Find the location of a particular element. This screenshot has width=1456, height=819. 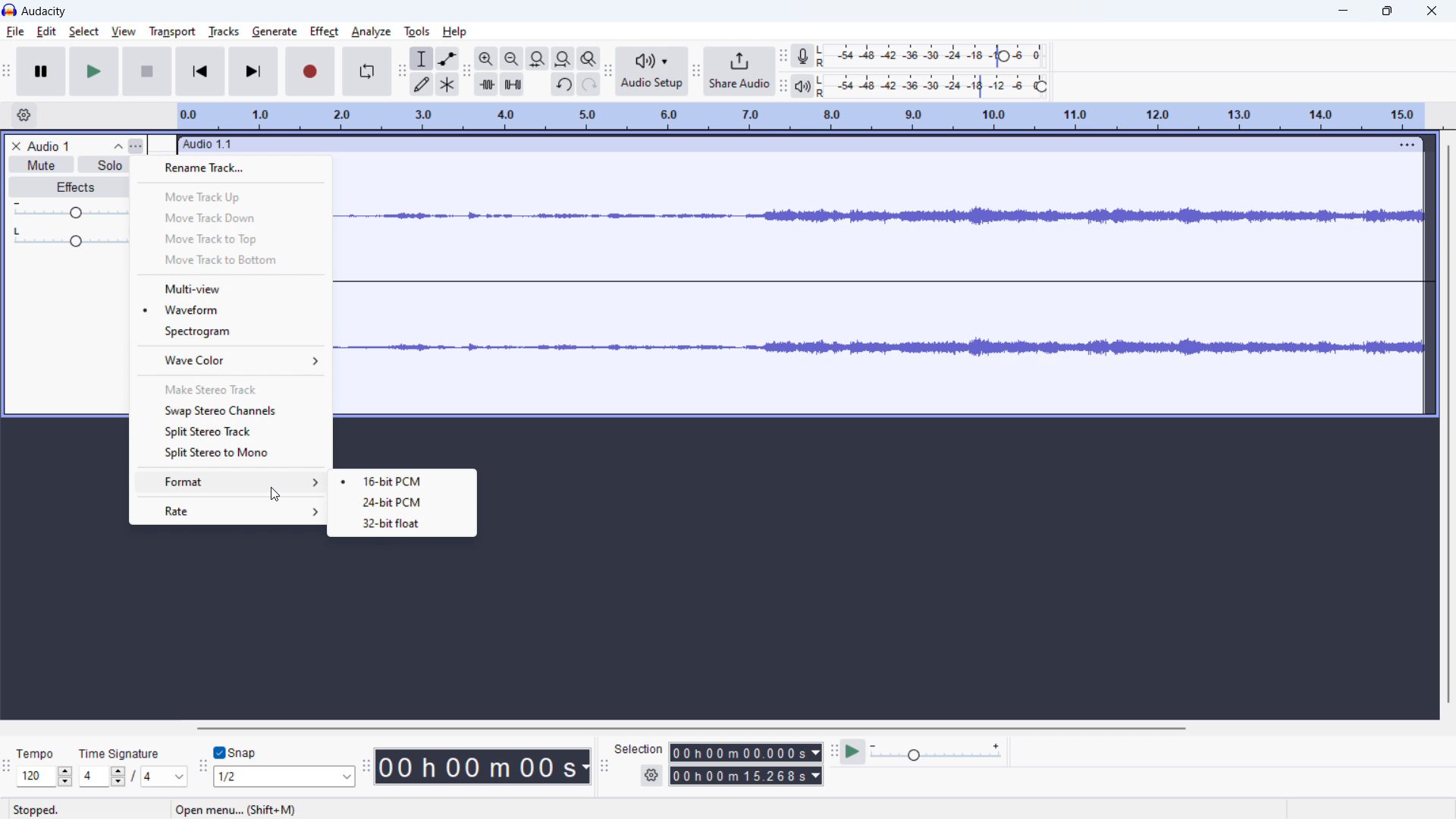

playback level is located at coordinates (937, 86).